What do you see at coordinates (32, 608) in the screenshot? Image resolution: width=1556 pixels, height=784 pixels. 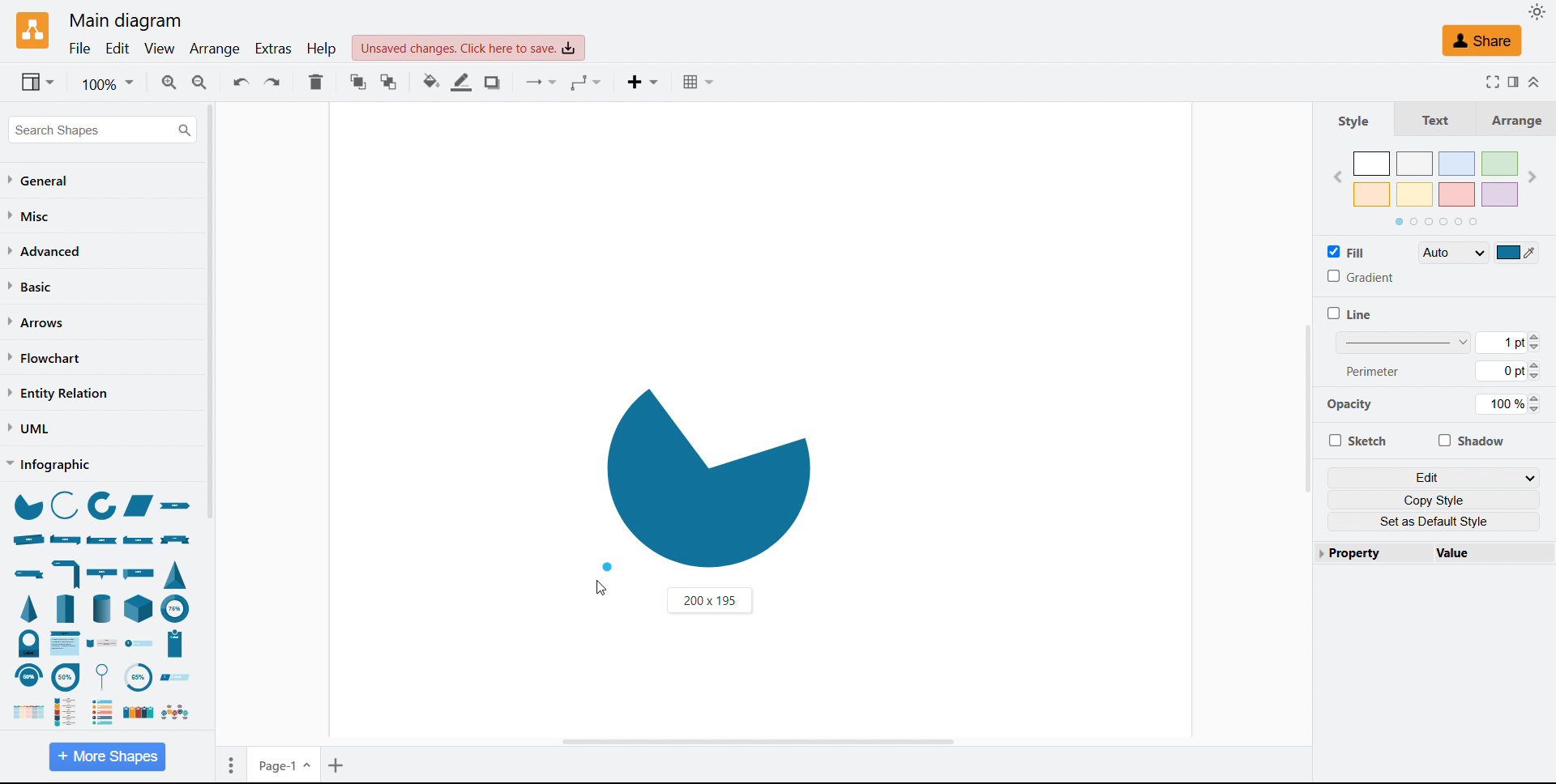 I see `pyramid` at bounding box center [32, 608].